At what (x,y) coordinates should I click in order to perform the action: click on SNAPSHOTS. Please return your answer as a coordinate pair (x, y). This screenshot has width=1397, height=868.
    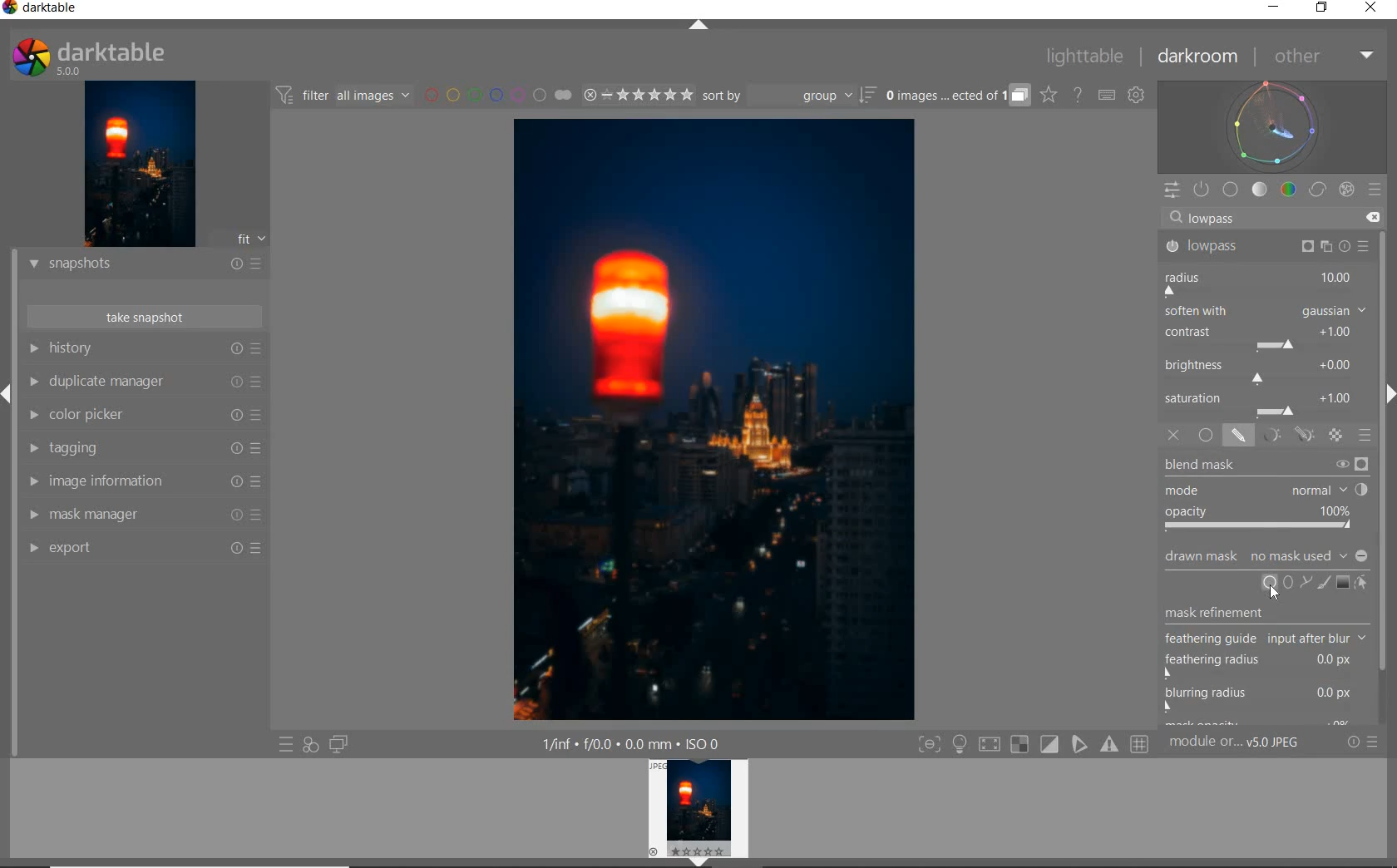
    Looking at the image, I should click on (146, 264).